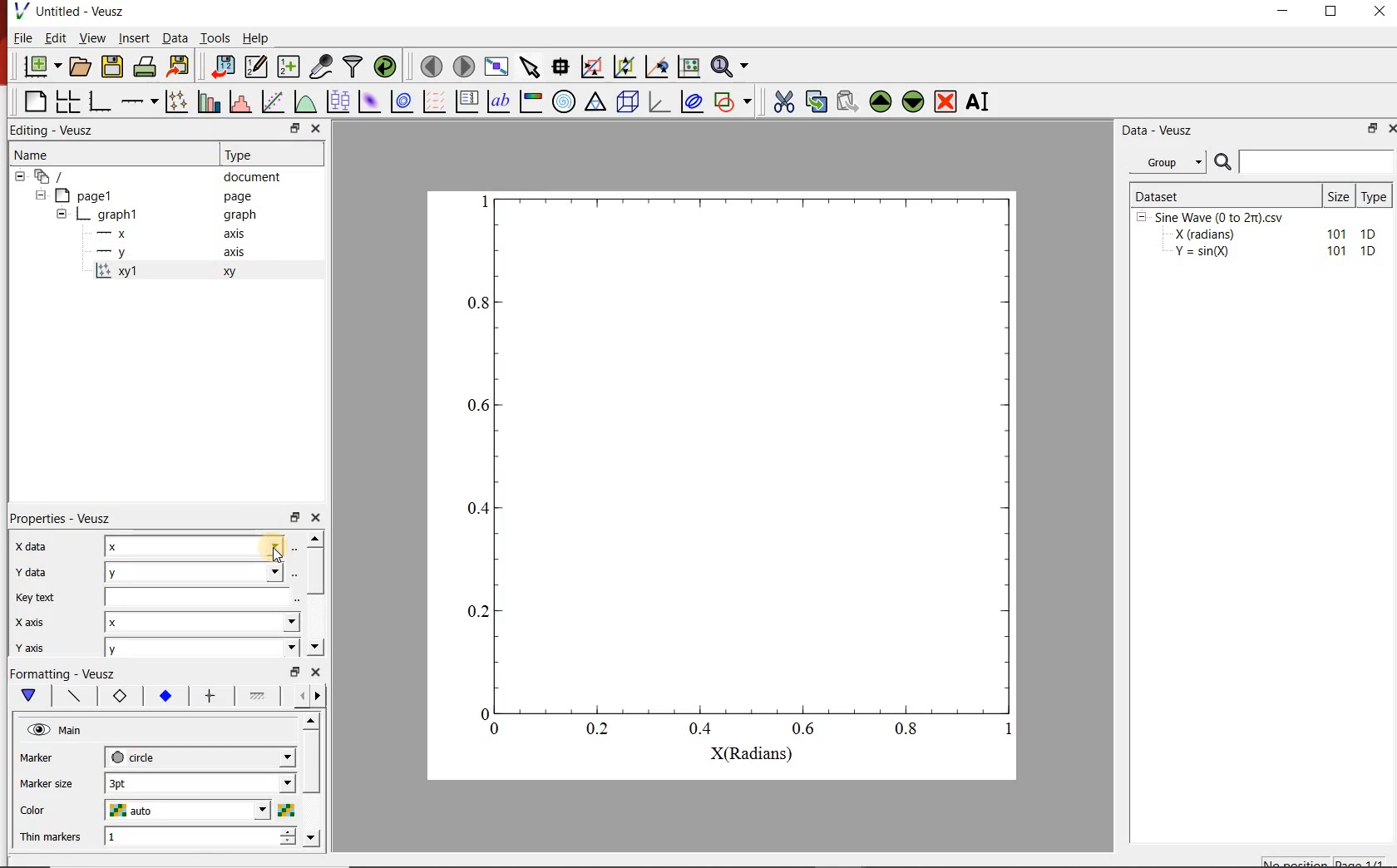  What do you see at coordinates (42, 67) in the screenshot?
I see `new document` at bounding box center [42, 67].